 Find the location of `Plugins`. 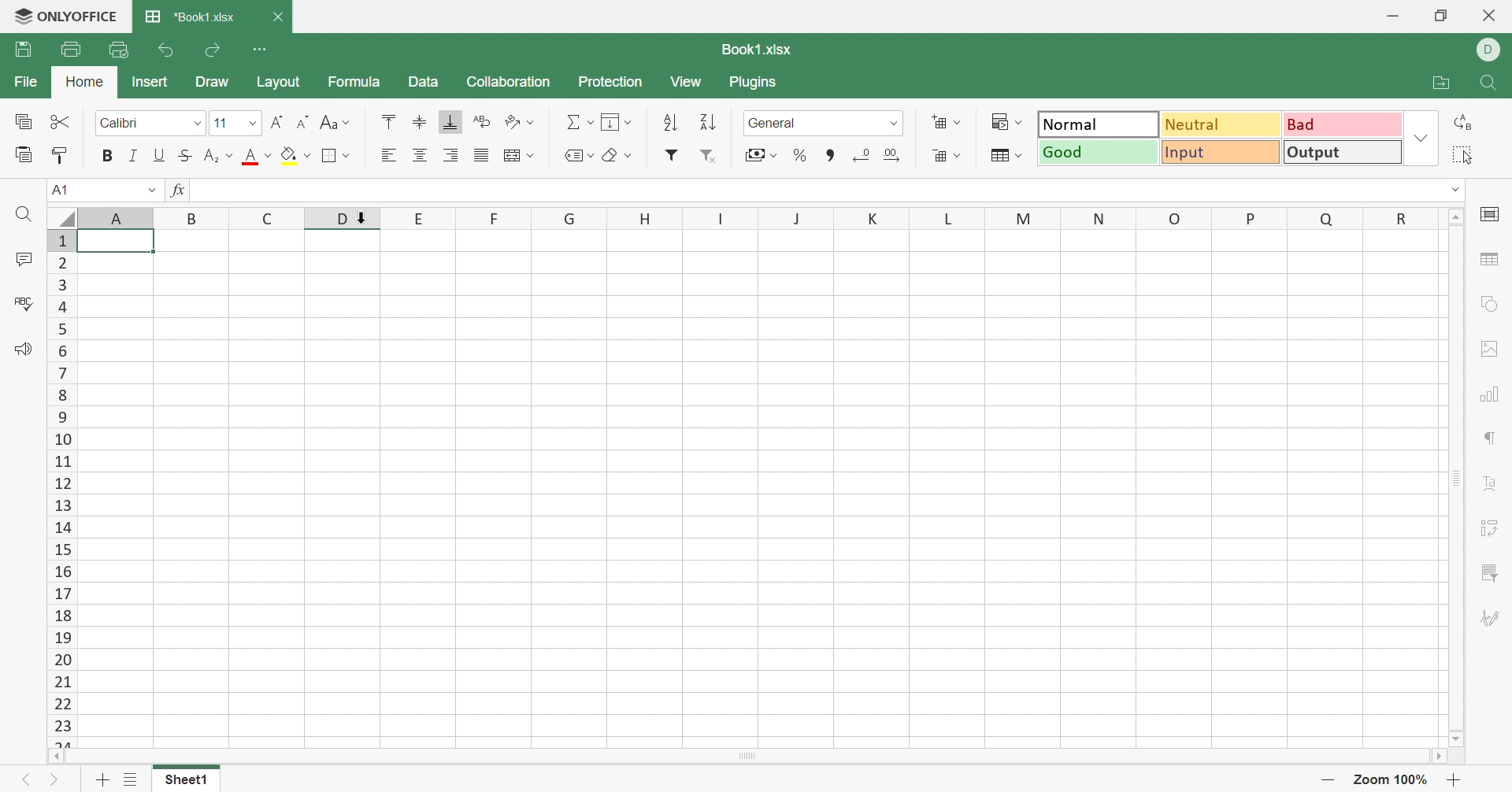

Plugins is located at coordinates (754, 85).